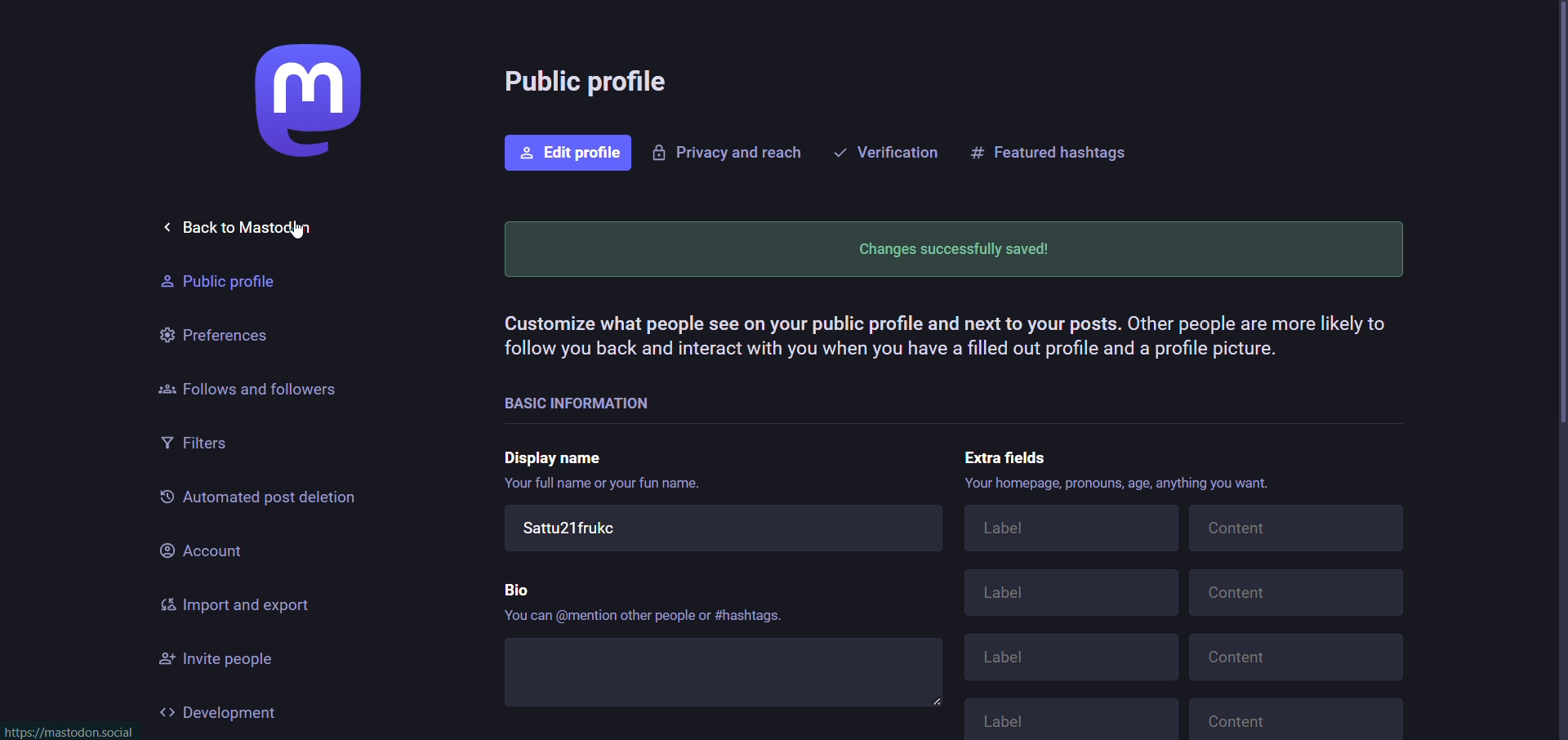  I want to click on bio, so click(518, 585).